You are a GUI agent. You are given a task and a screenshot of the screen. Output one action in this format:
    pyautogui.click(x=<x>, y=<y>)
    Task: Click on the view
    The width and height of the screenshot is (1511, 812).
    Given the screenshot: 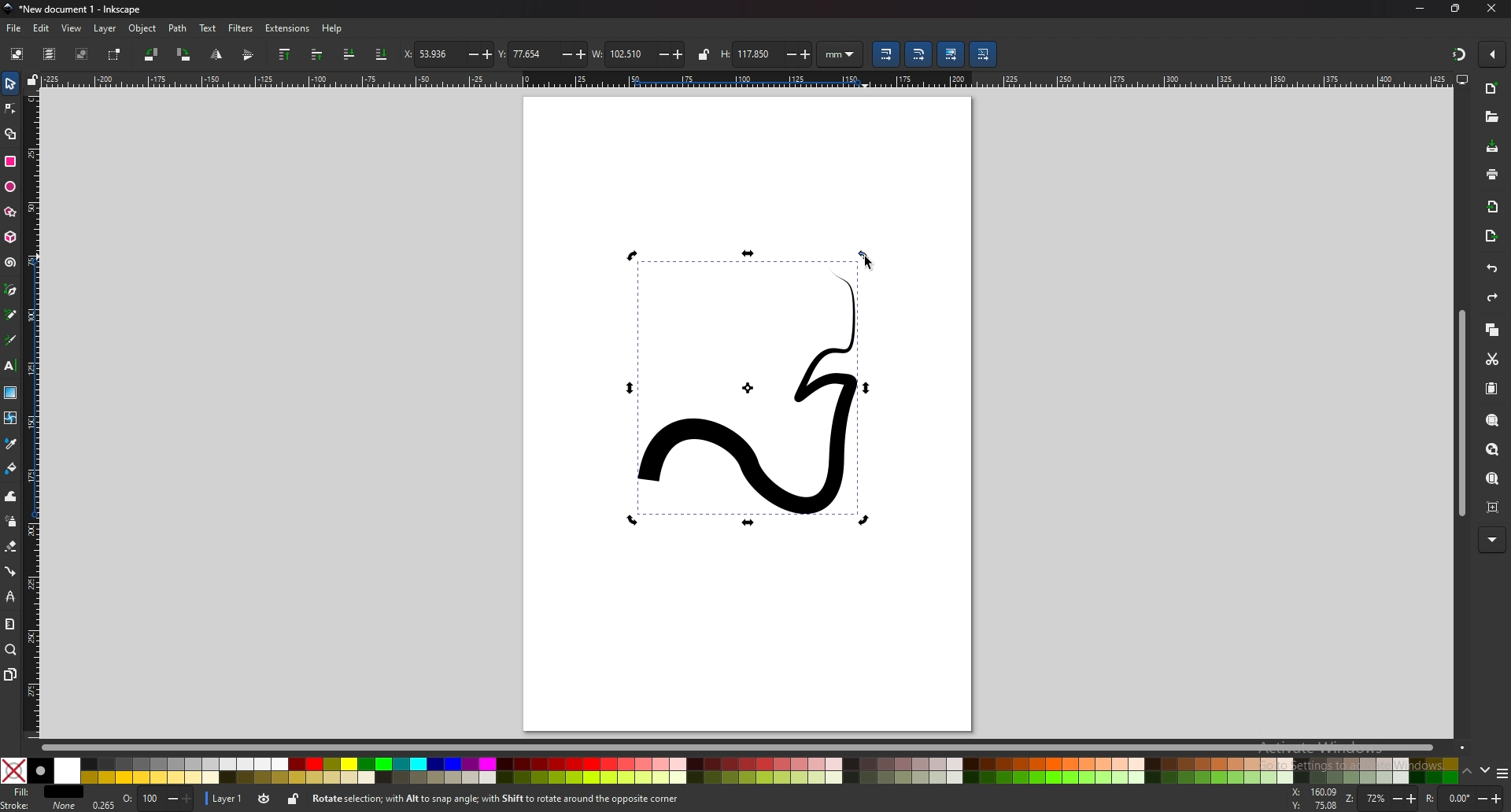 What is the action you would take?
    pyautogui.click(x=70, y=29)
    